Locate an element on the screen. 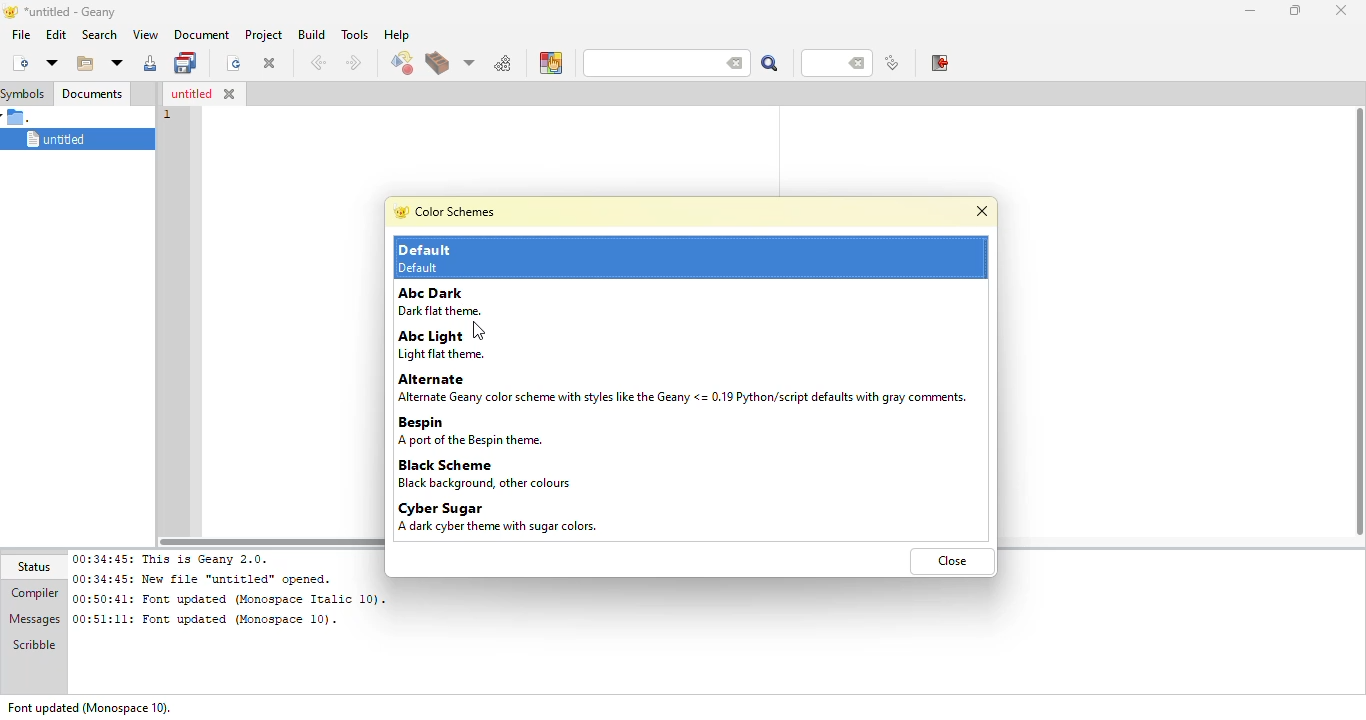  minimize is located at coordinates (1247, 10).